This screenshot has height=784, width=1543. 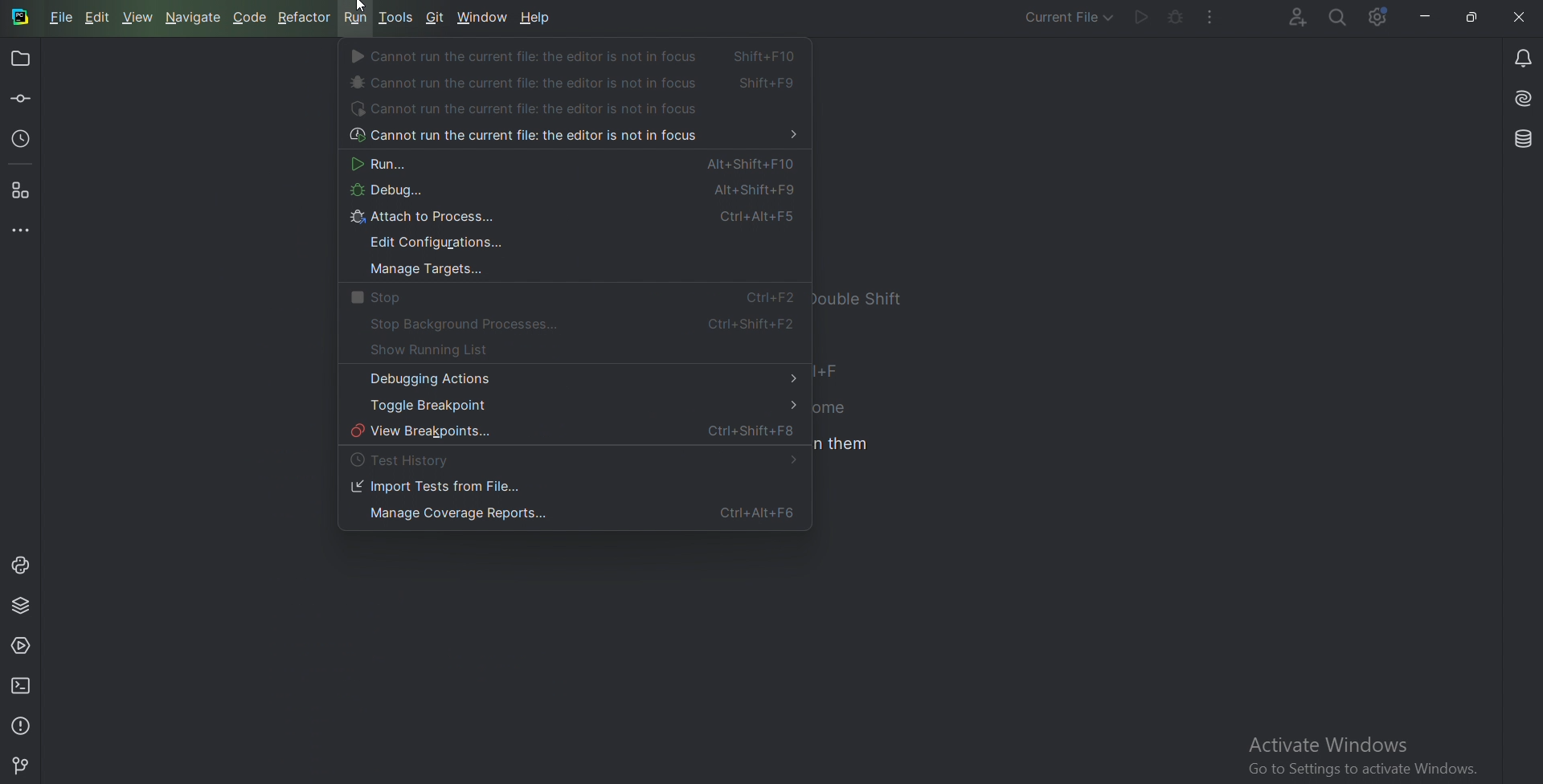 What do you see at coordinates (567, 193) in the screenshot?
I see `Debug` at bounding box center [567, 193].